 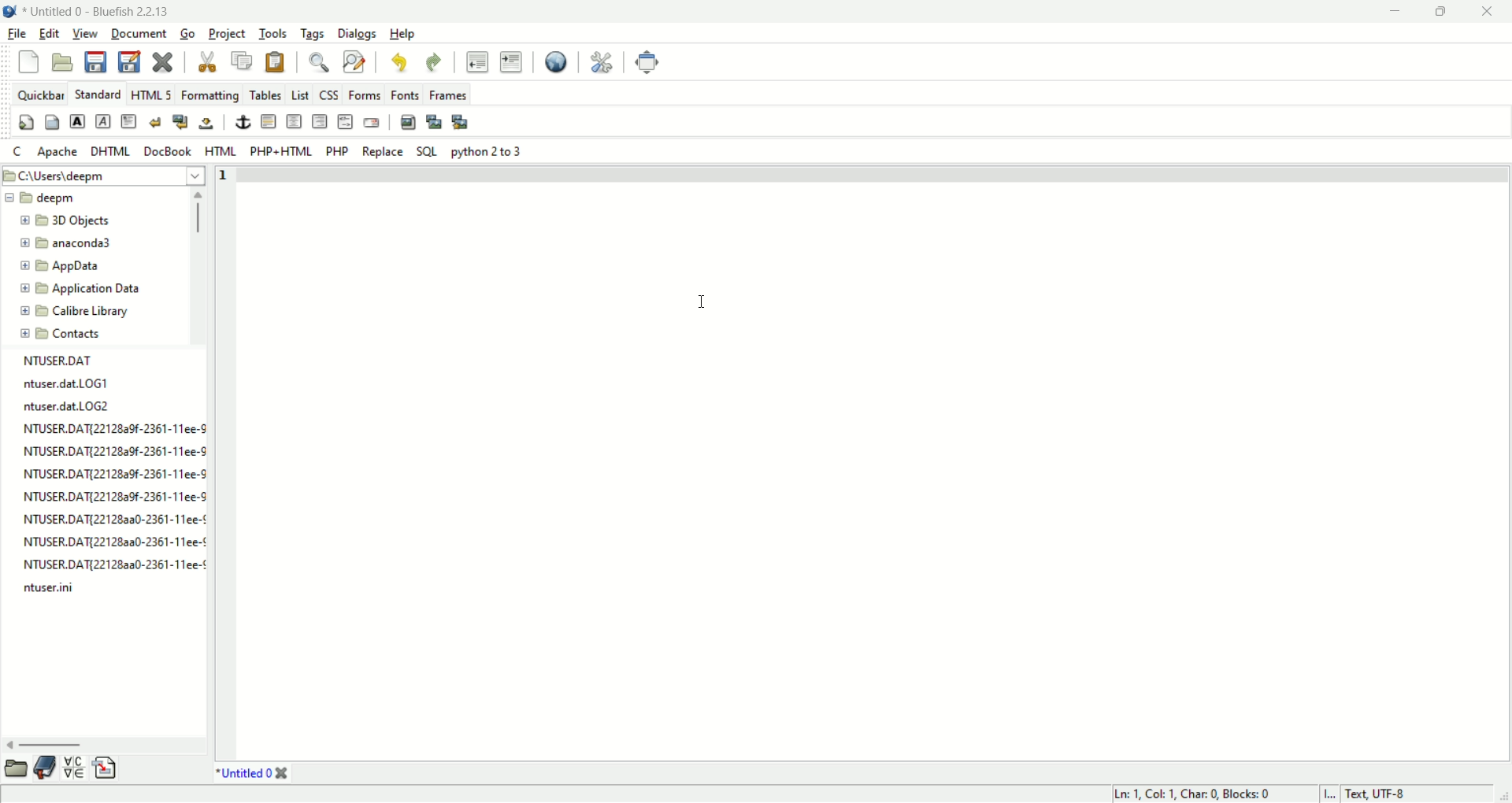 I want to click on save as, so click(x=128, y=62).